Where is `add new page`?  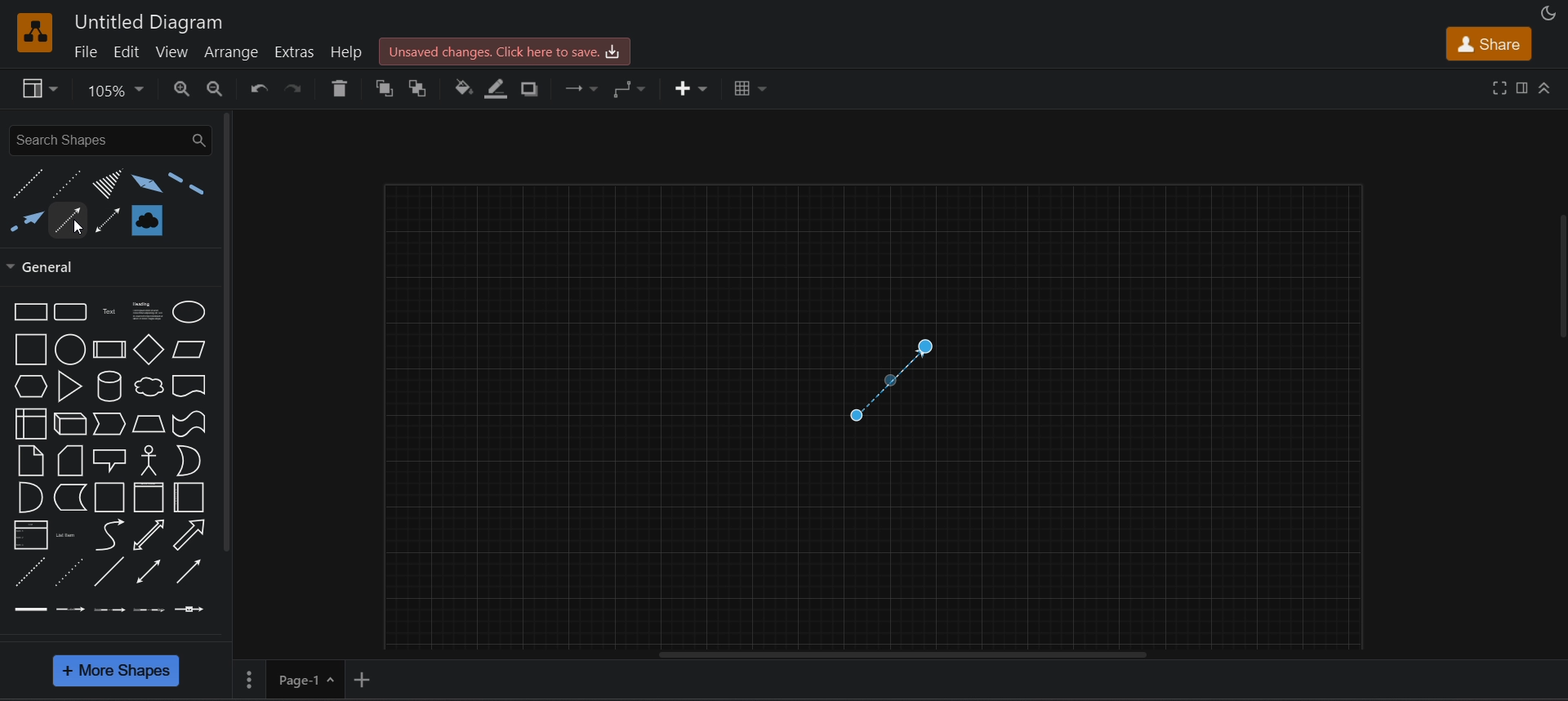
add new page is located at coordinates (366, 678).